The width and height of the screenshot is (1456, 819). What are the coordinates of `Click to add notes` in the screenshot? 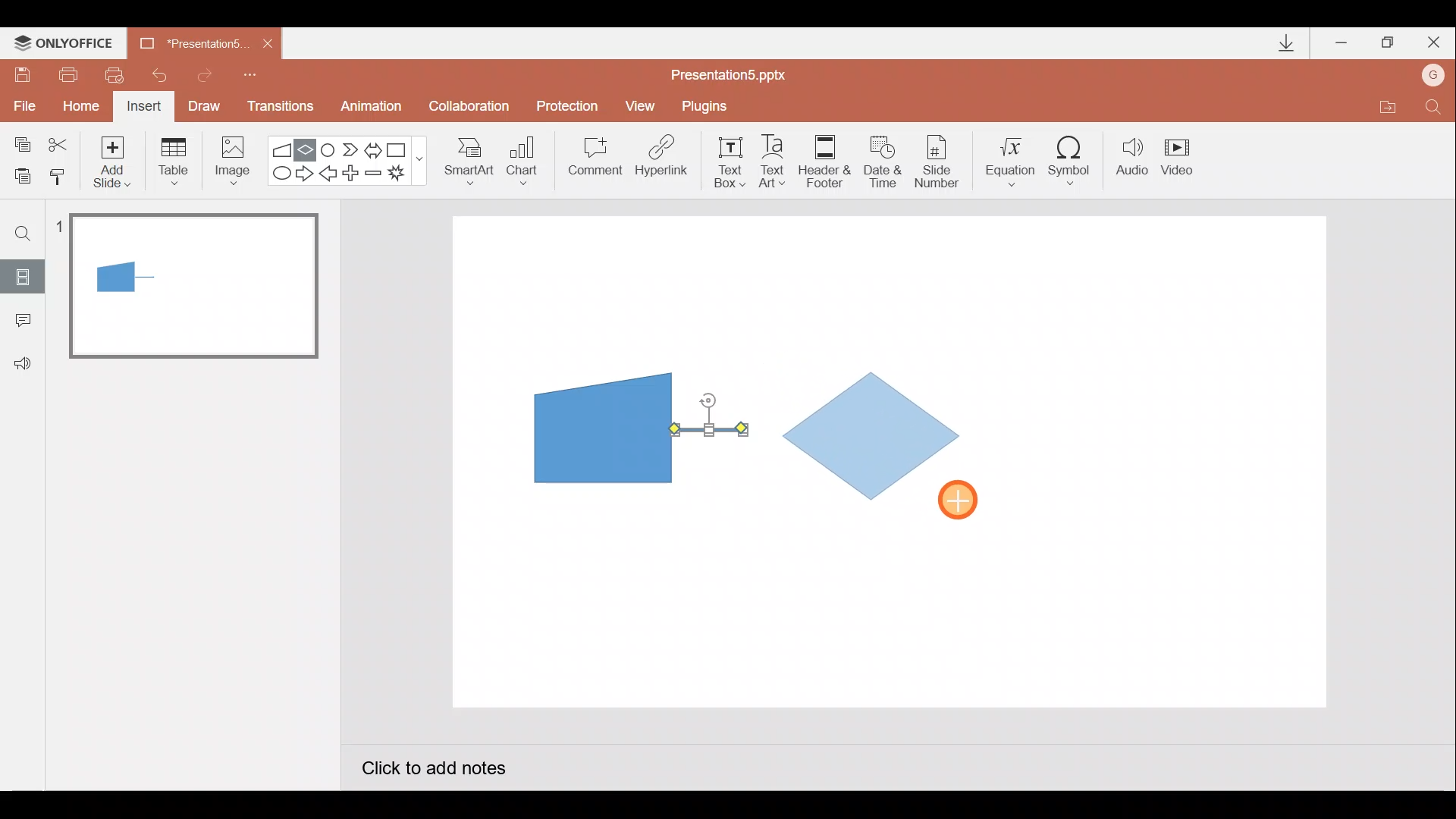 It's located at (432, 770).